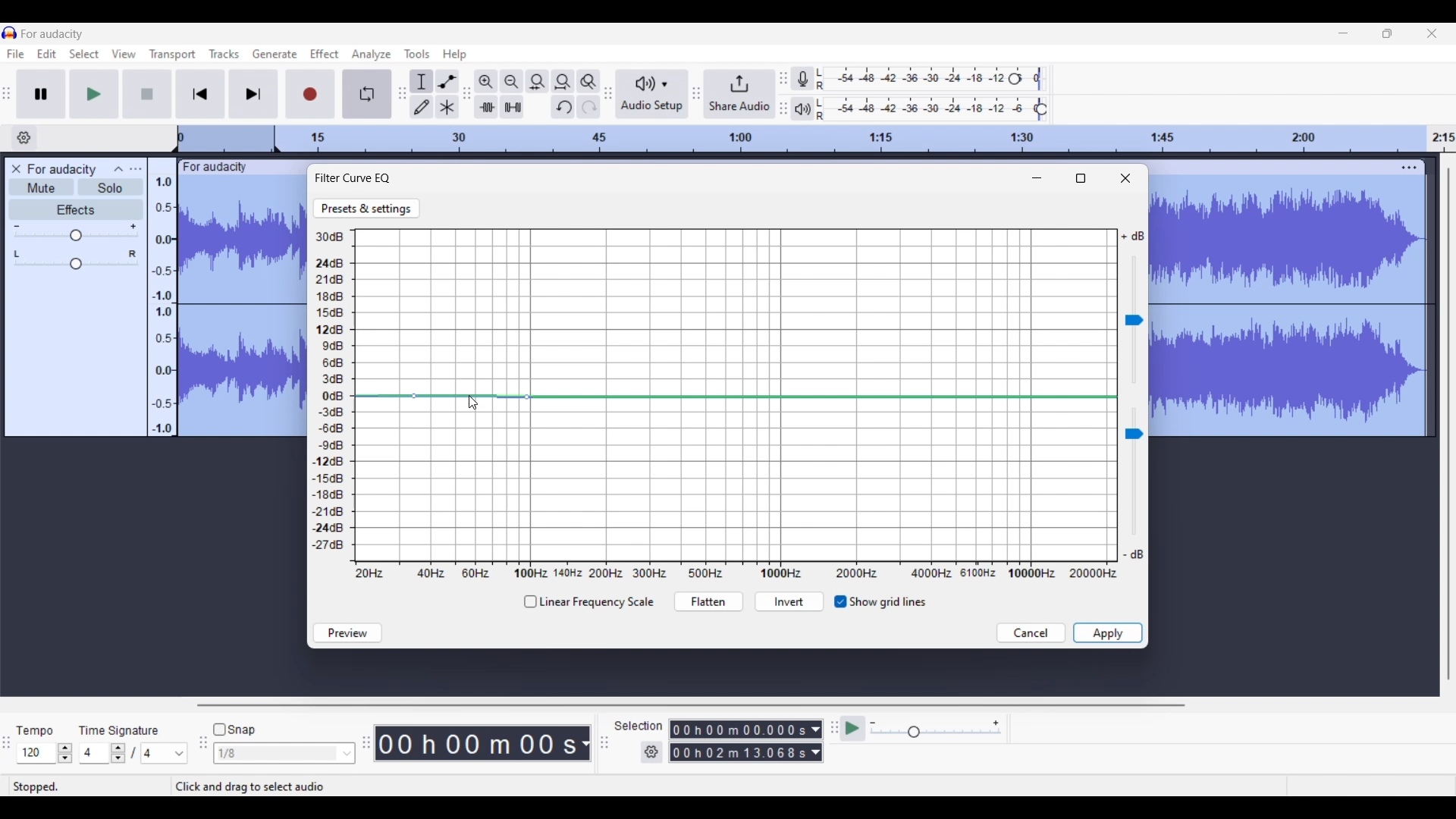  What do you see at coordinates (234, 730) in the screenshot?
I see `Snap toggle` at bounding box center [234, 730].